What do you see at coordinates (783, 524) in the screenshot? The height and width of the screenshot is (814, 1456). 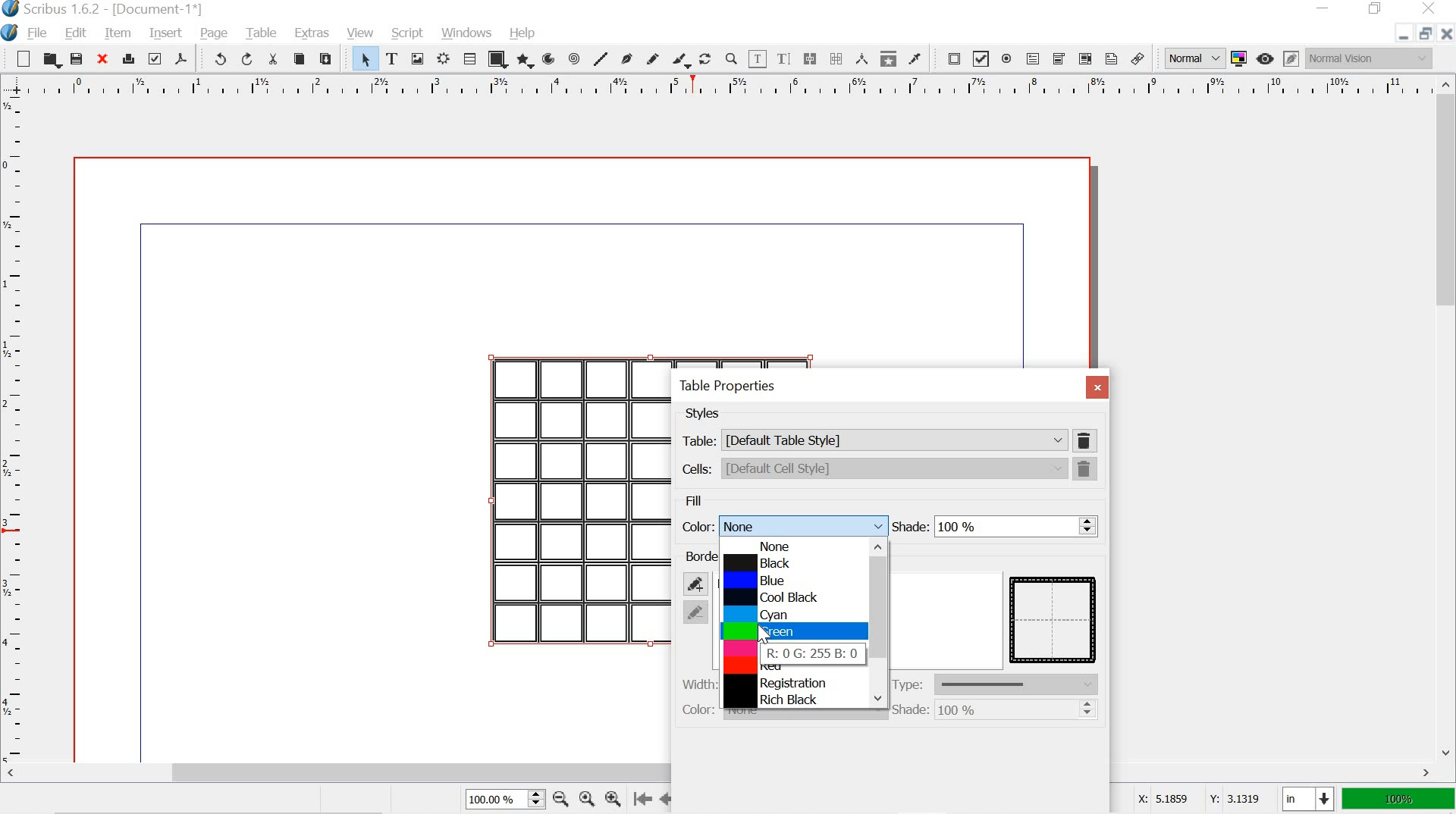 I see `color: None` at bounding box center [783, 524].